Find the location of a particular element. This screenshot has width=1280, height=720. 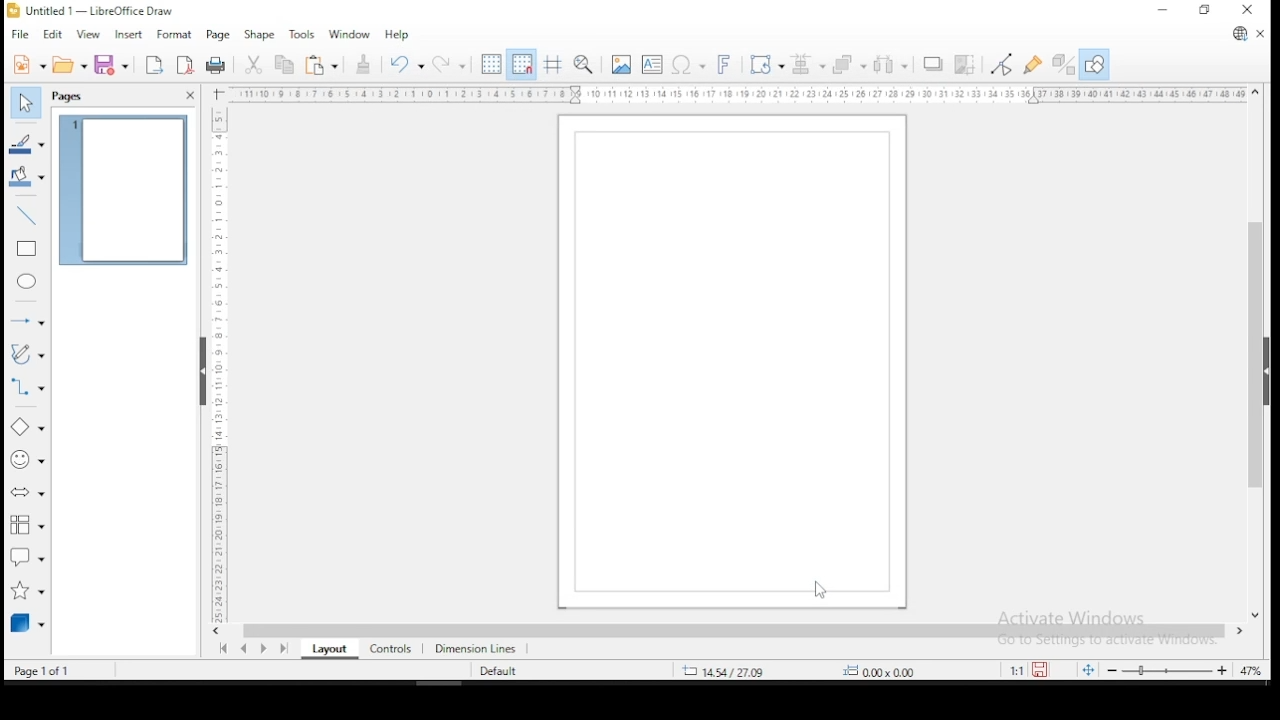

insert textbox is located at coordinates (652, 65).